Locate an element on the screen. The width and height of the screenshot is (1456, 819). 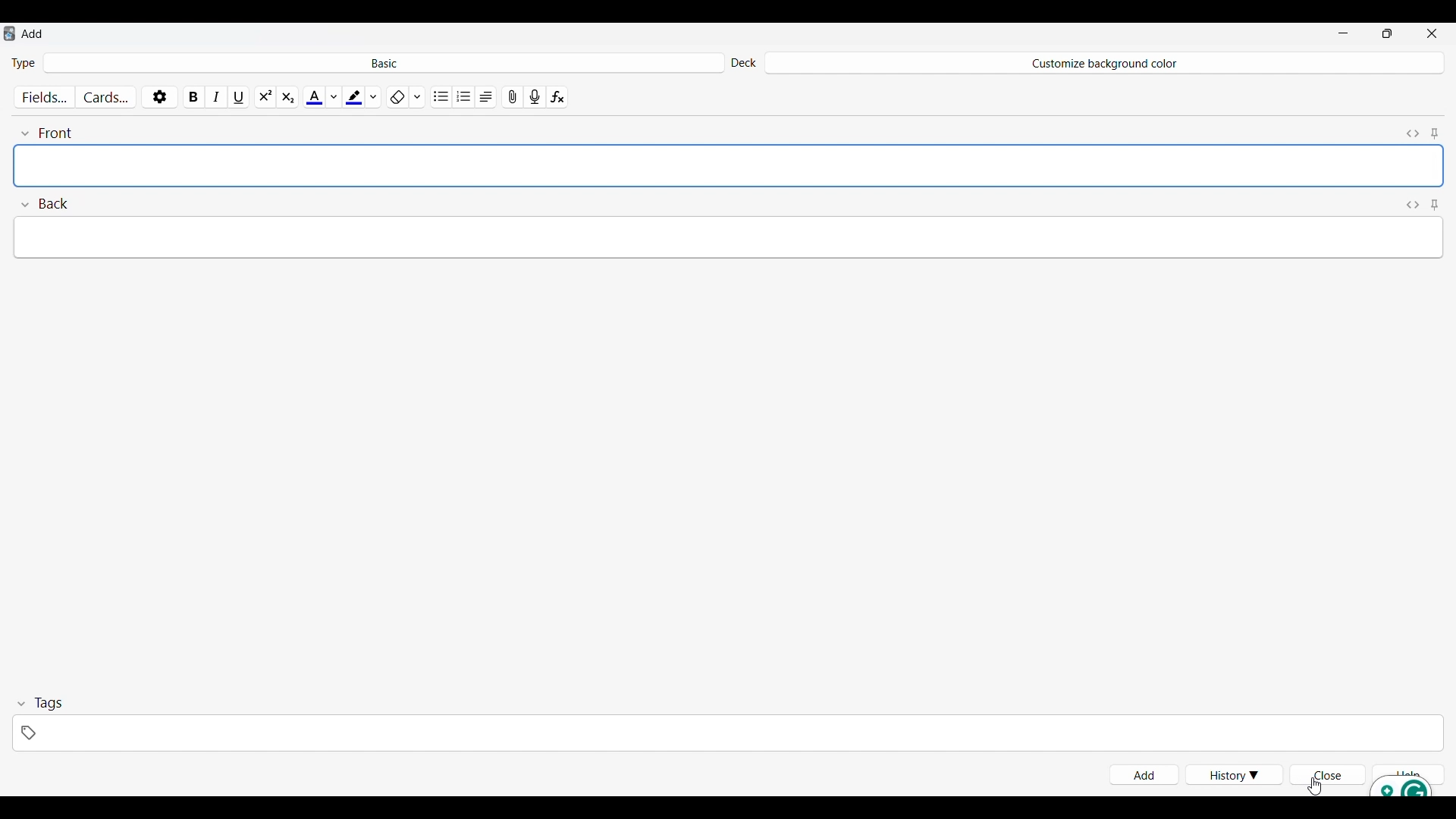
Sub script is located at coordinates (287, 95).